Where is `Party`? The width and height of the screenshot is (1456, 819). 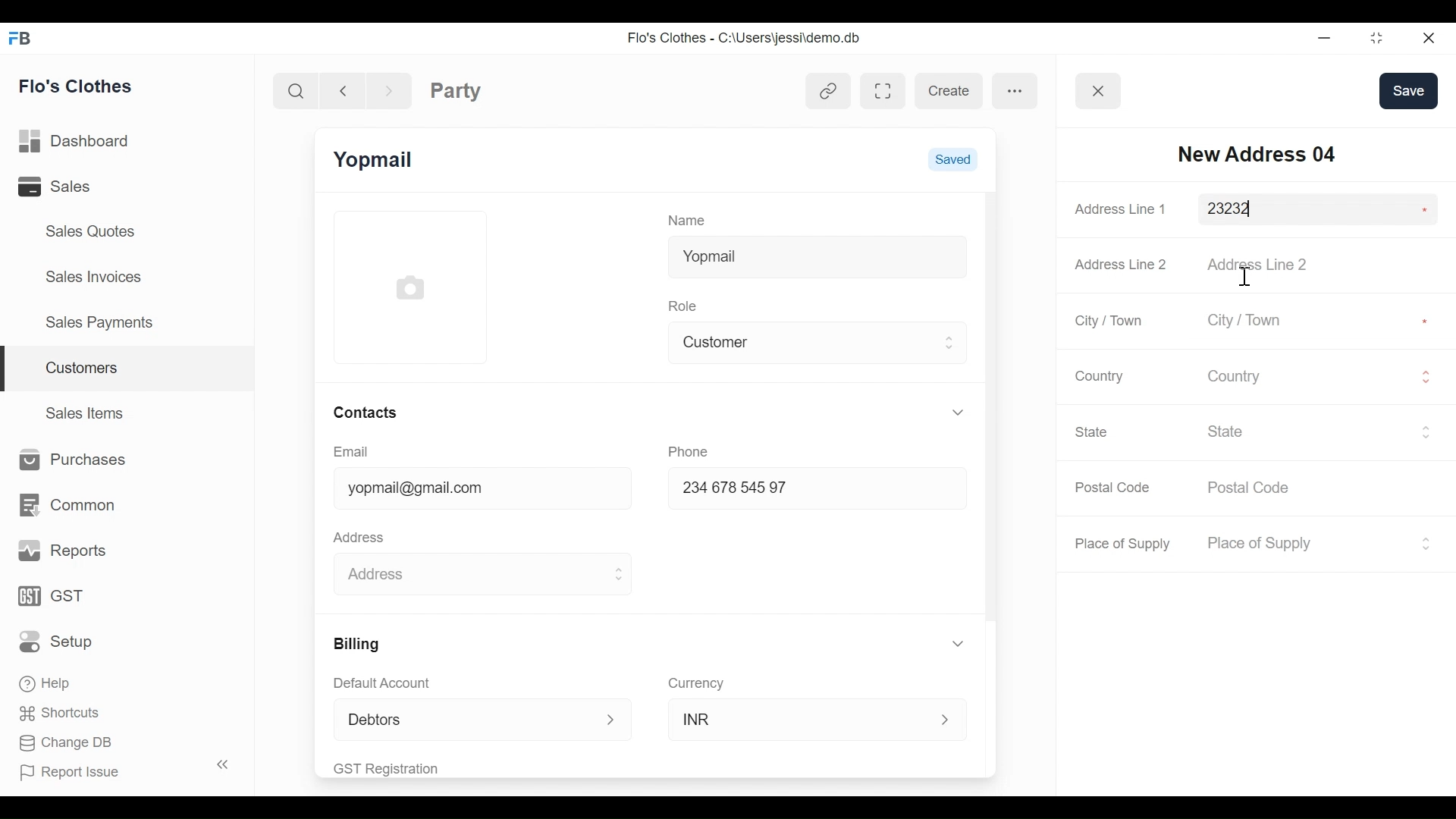
Party is located at coordinates (456, 90).